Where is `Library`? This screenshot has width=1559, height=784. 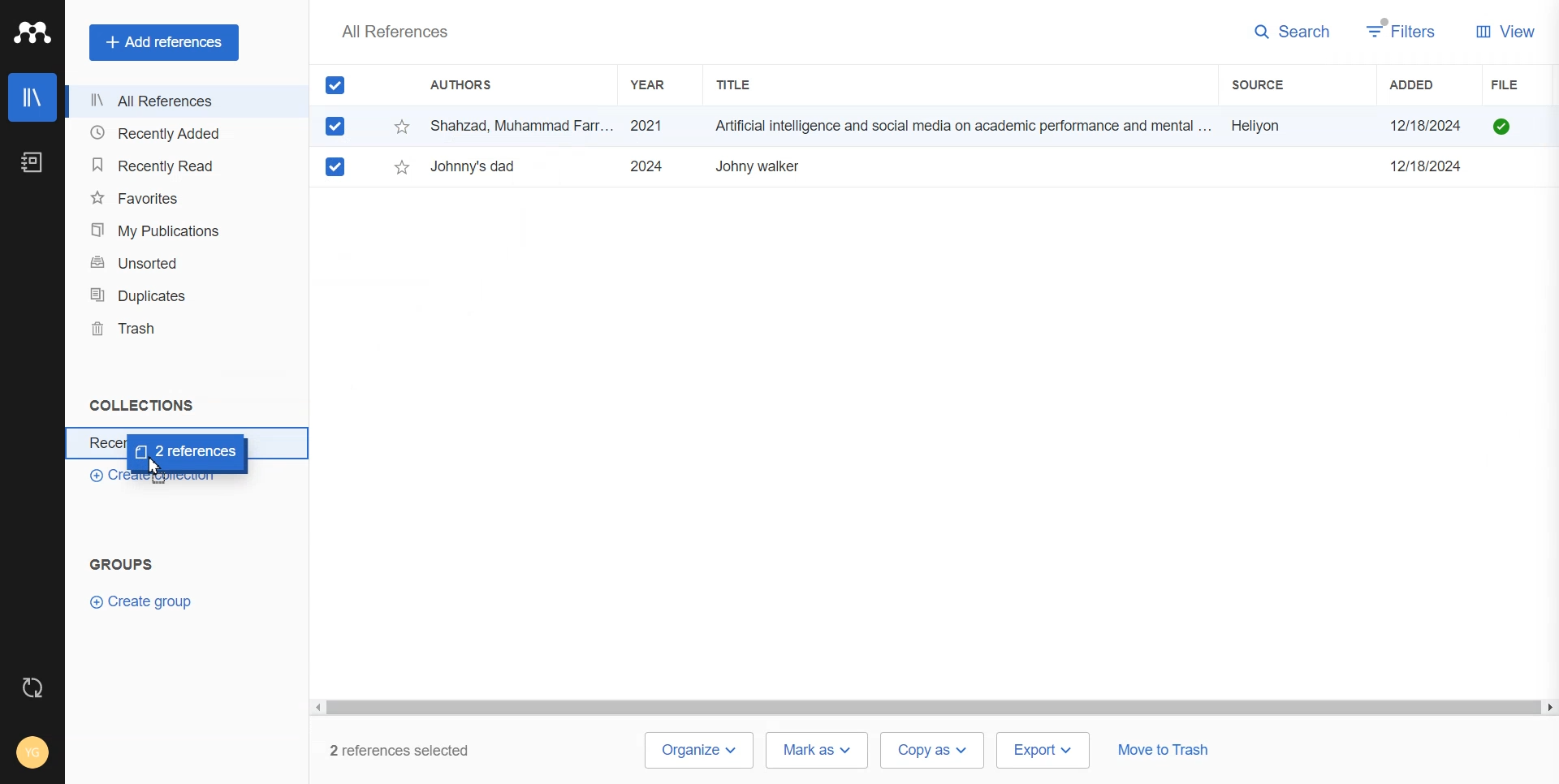
Library is located at coordinates (32, 97).